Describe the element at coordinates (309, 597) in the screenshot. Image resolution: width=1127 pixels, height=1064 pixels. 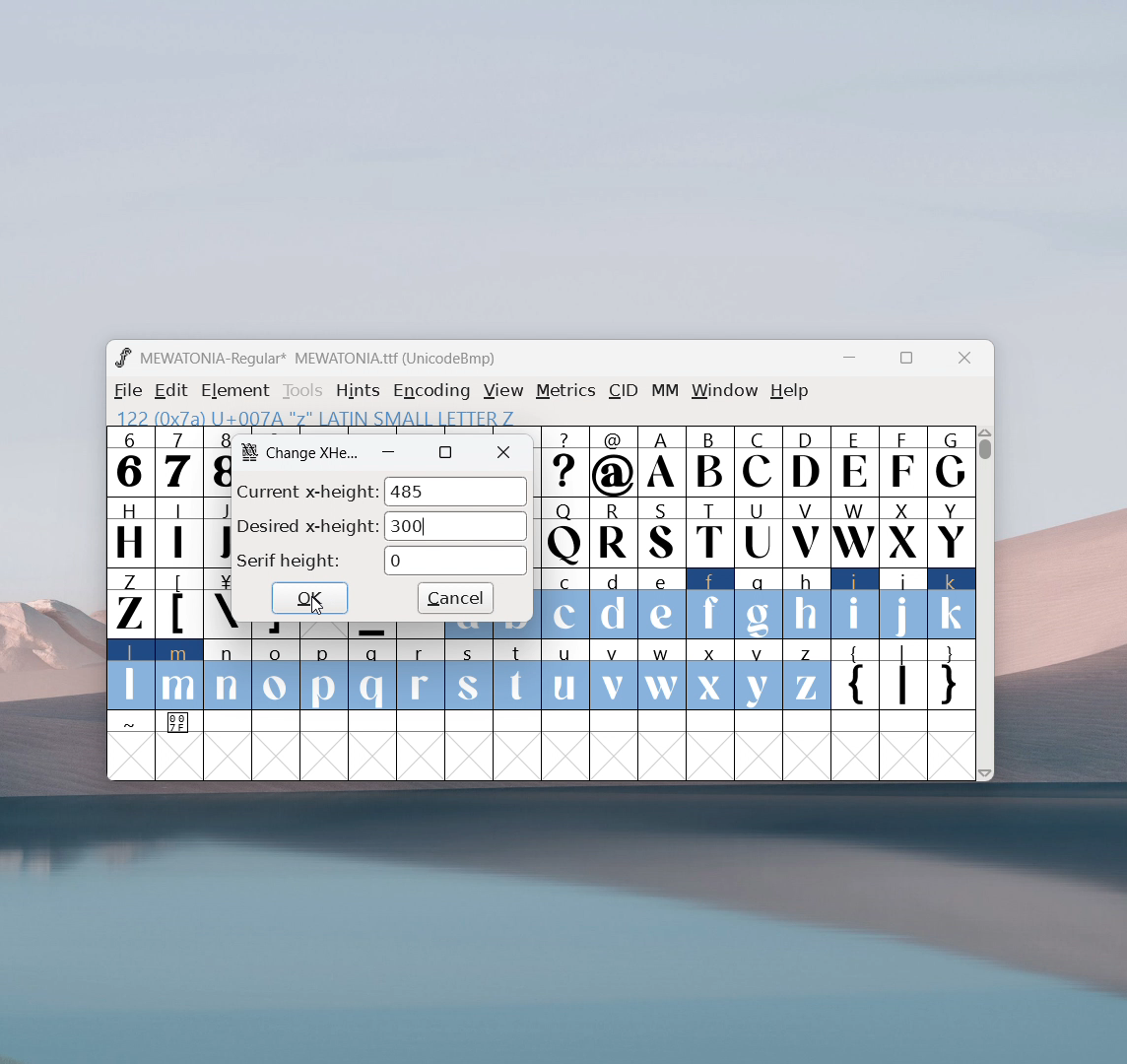
I see `ok` at that location.